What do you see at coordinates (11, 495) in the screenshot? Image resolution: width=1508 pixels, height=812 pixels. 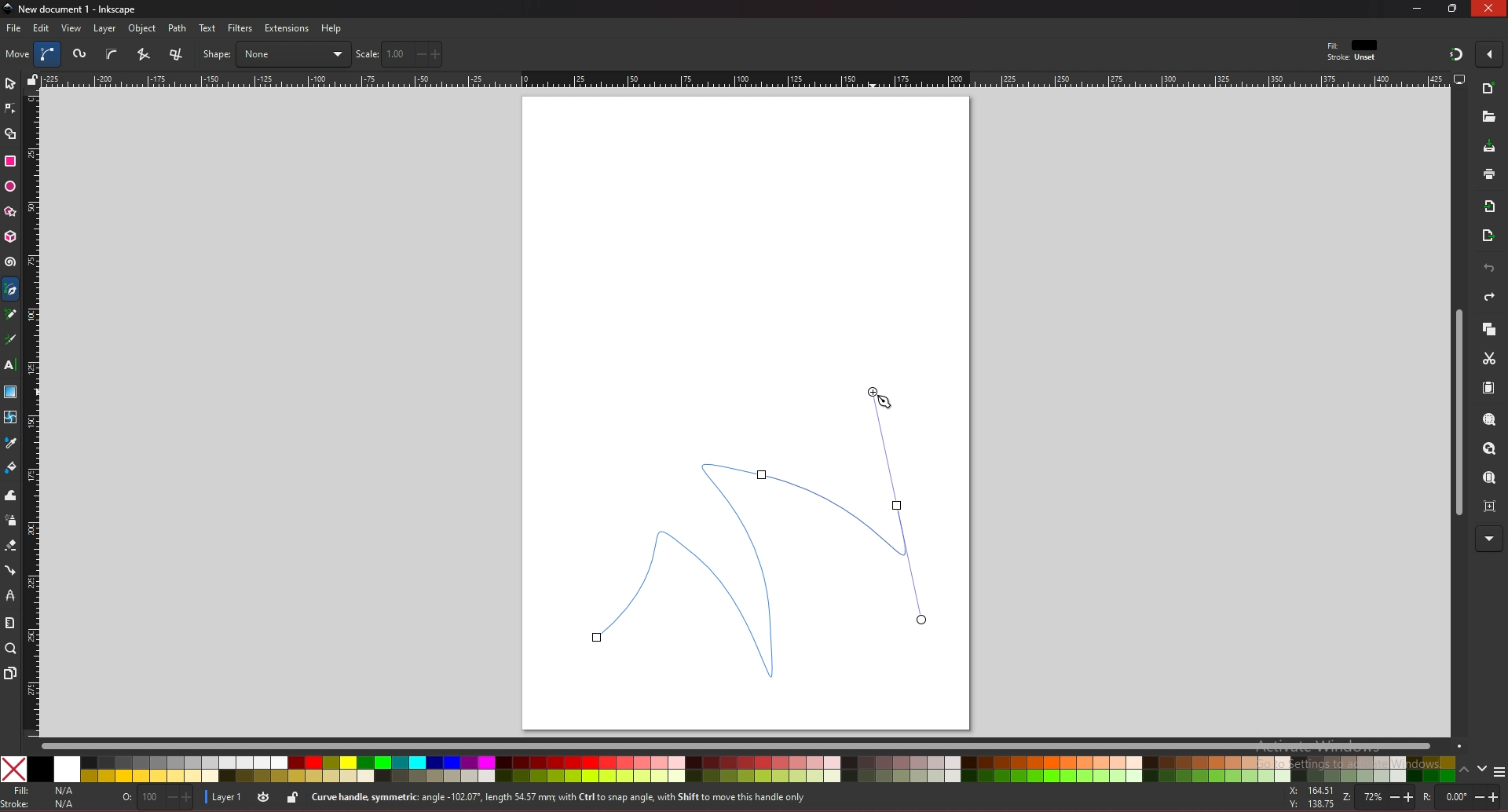 I see `tweak` at bounding box center [11, 495].